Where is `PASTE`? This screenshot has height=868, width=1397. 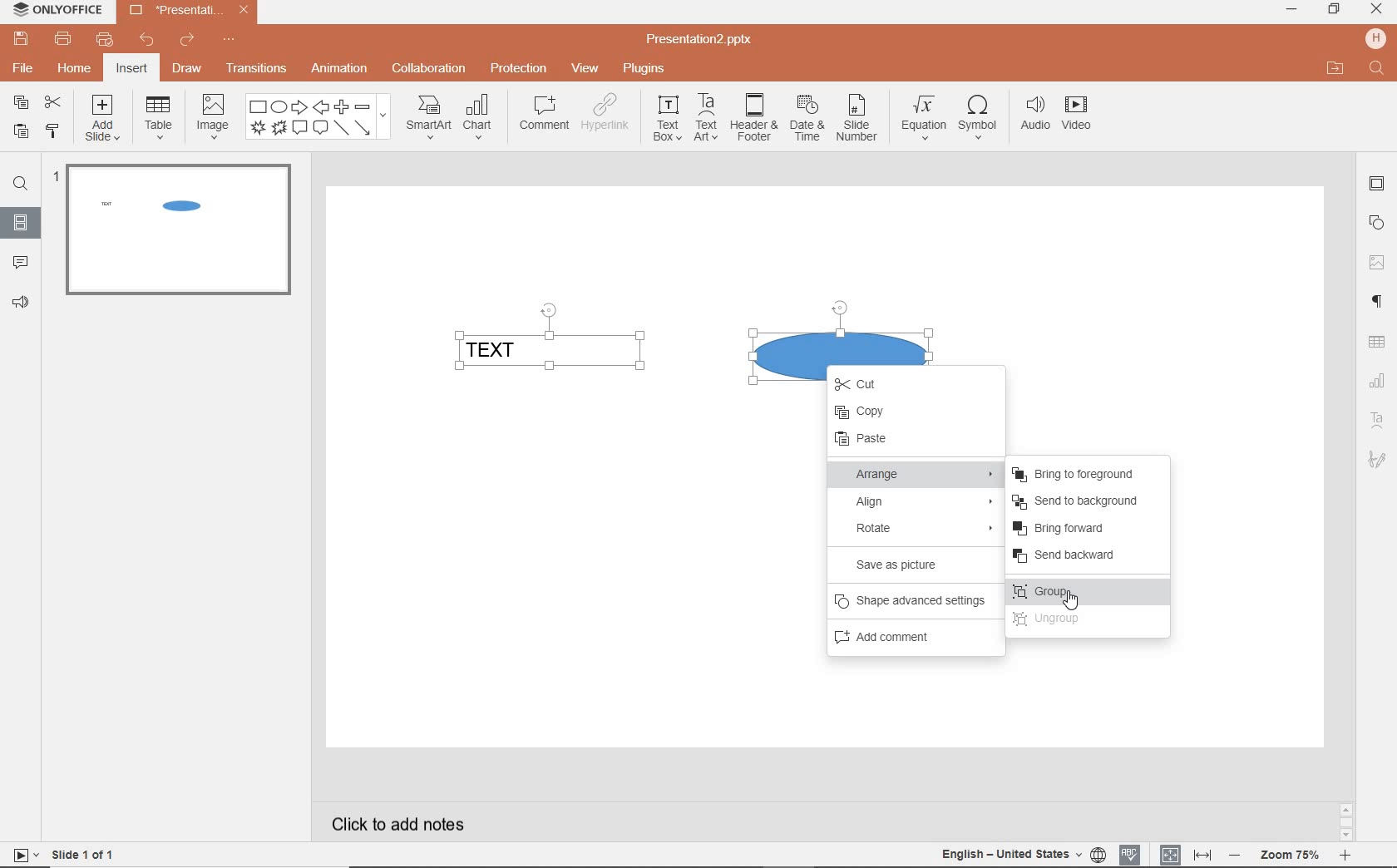 PASTE is located at coordinates (907, 439).